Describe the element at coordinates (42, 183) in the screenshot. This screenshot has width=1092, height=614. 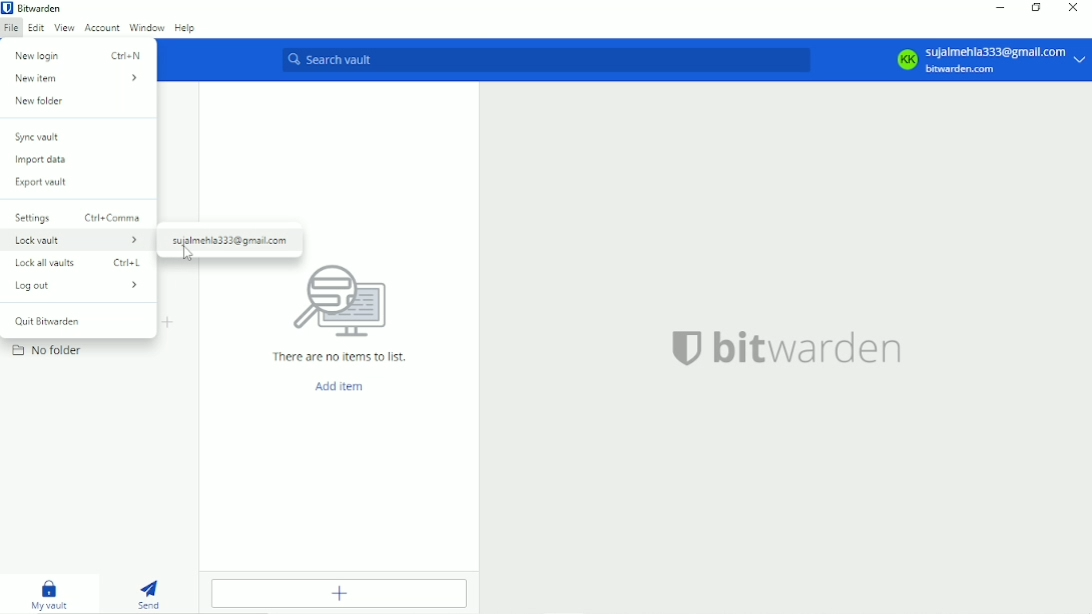
I see `Export vault` at that location.